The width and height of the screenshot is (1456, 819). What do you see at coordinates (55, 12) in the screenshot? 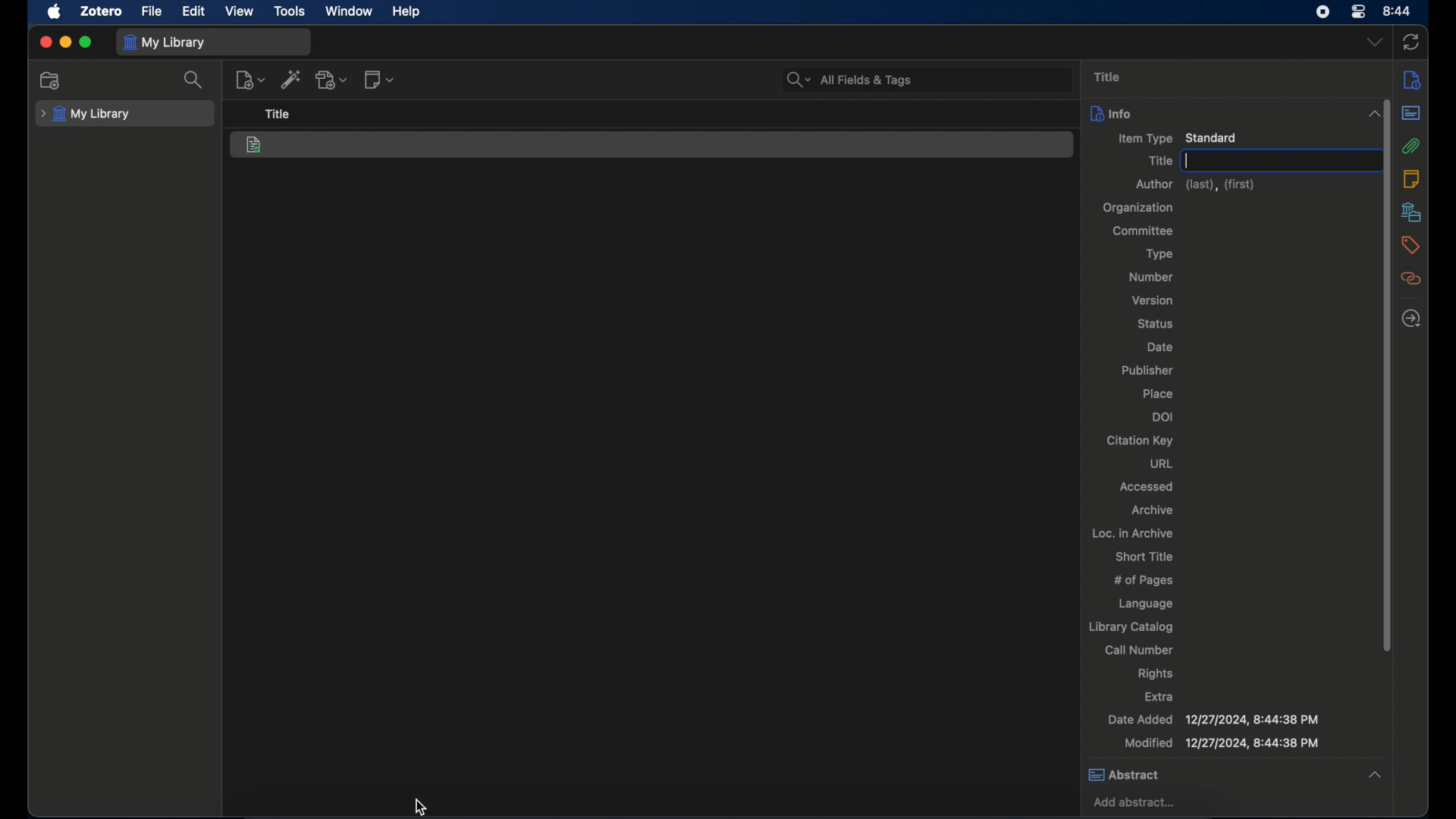
I see `apple` at bounding box center [55, 12].